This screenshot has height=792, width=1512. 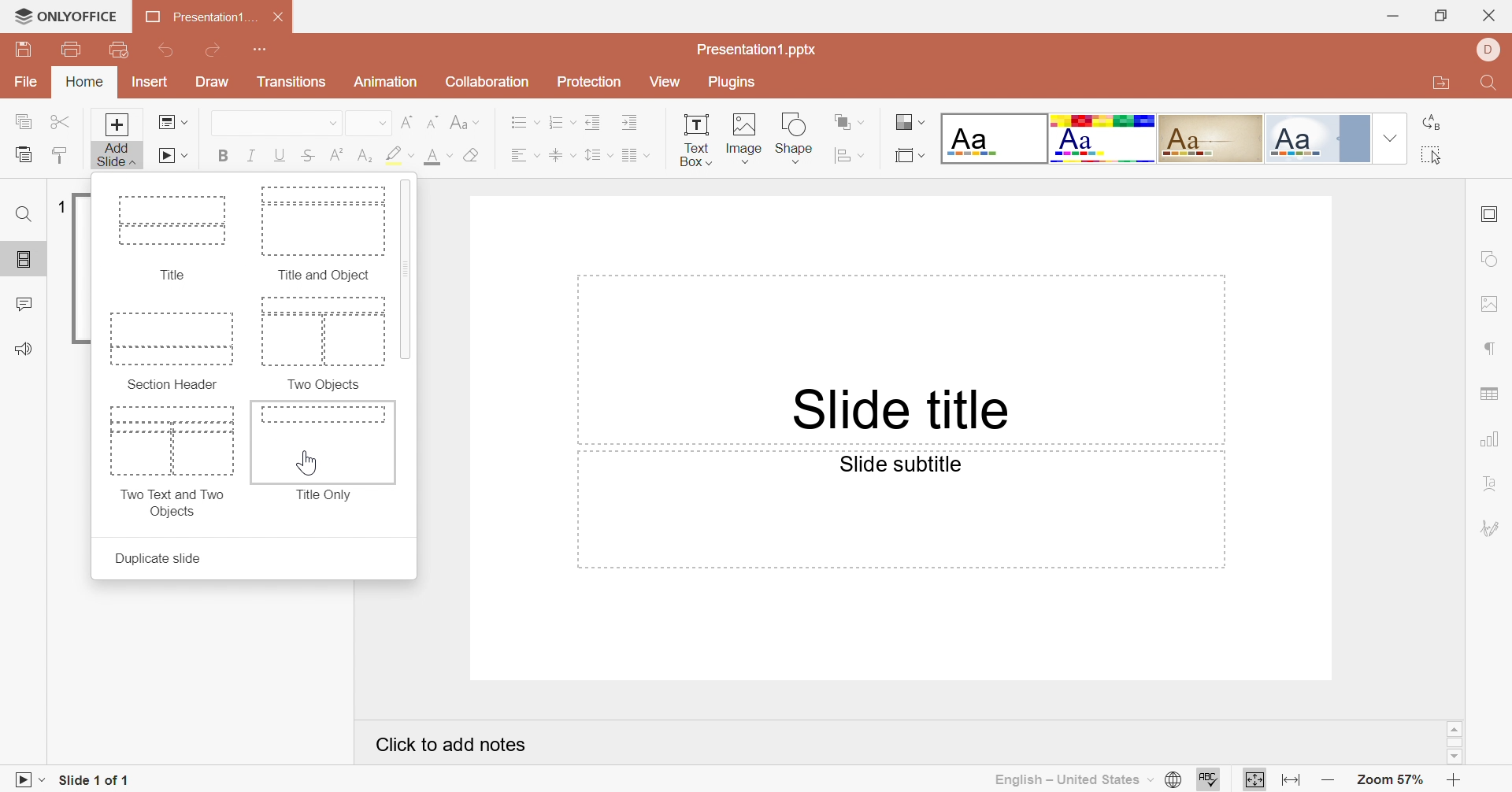 I want to click on Start slideshow, so click(x=28, y=779).